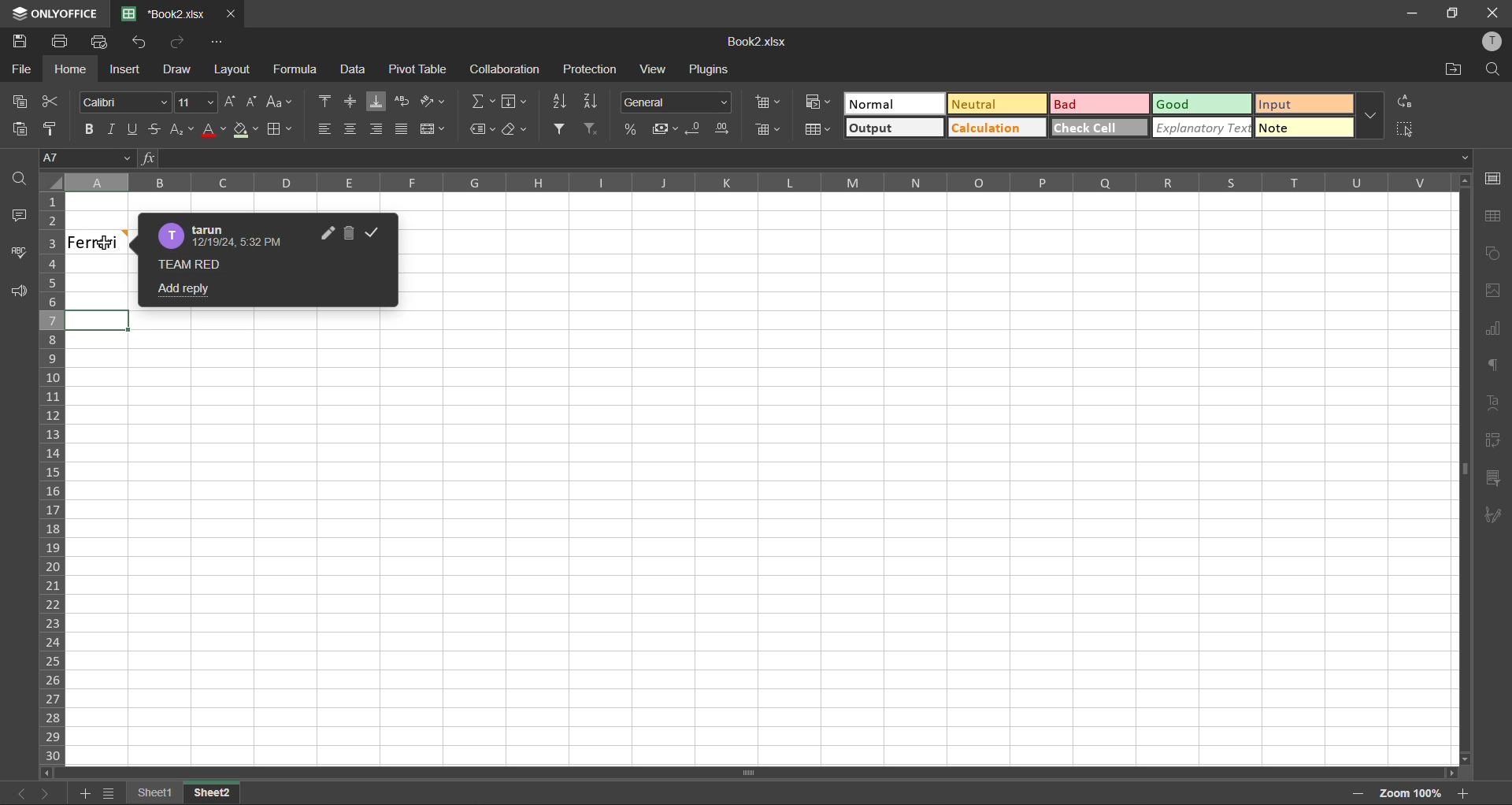 The image size is (1512, 805). I want to click on Book2.xlsx, so click(165, 14).